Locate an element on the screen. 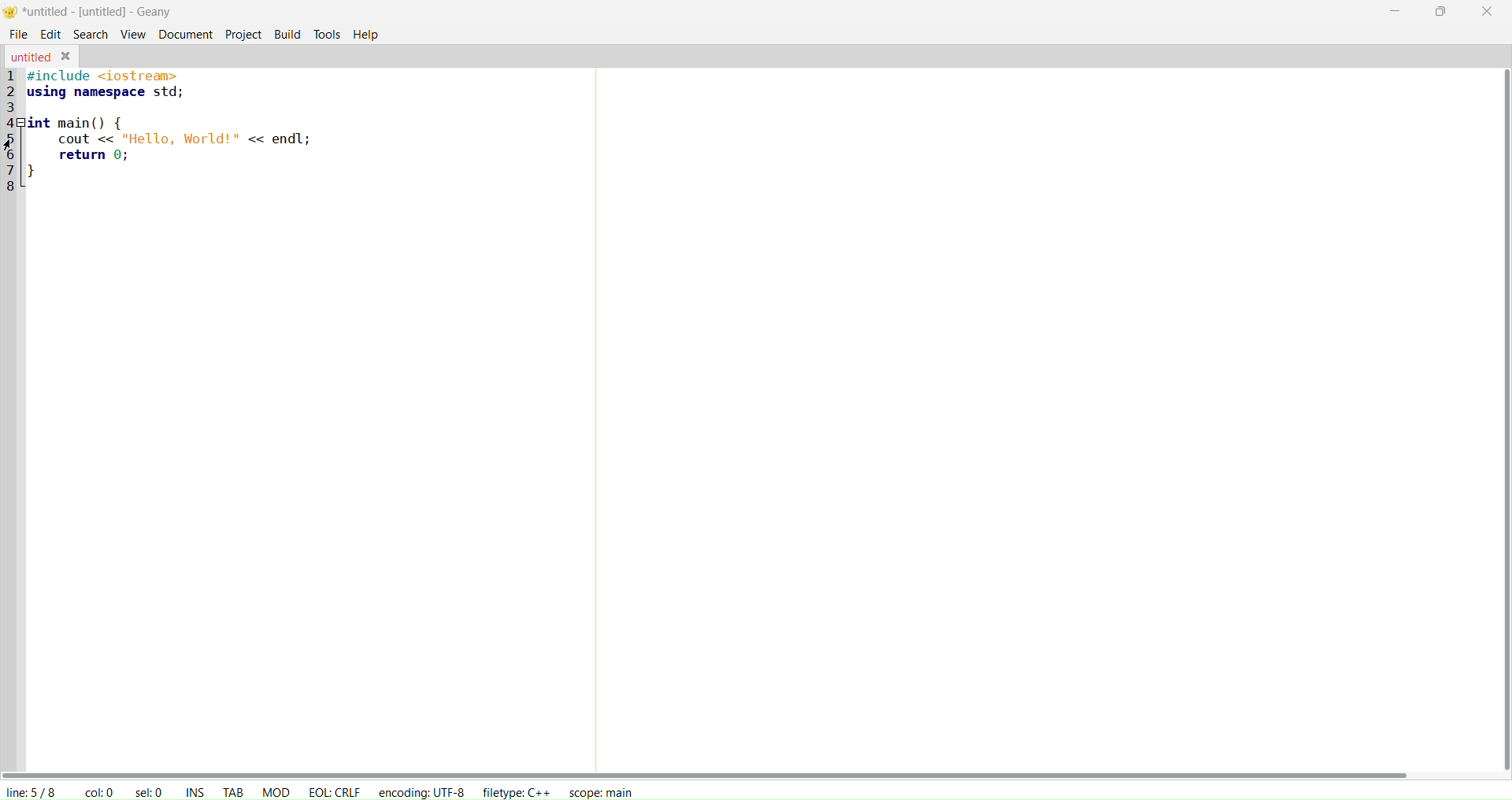 The width and height of the screenshot is (1512, 800). close is located at coordinates (1485, 11).